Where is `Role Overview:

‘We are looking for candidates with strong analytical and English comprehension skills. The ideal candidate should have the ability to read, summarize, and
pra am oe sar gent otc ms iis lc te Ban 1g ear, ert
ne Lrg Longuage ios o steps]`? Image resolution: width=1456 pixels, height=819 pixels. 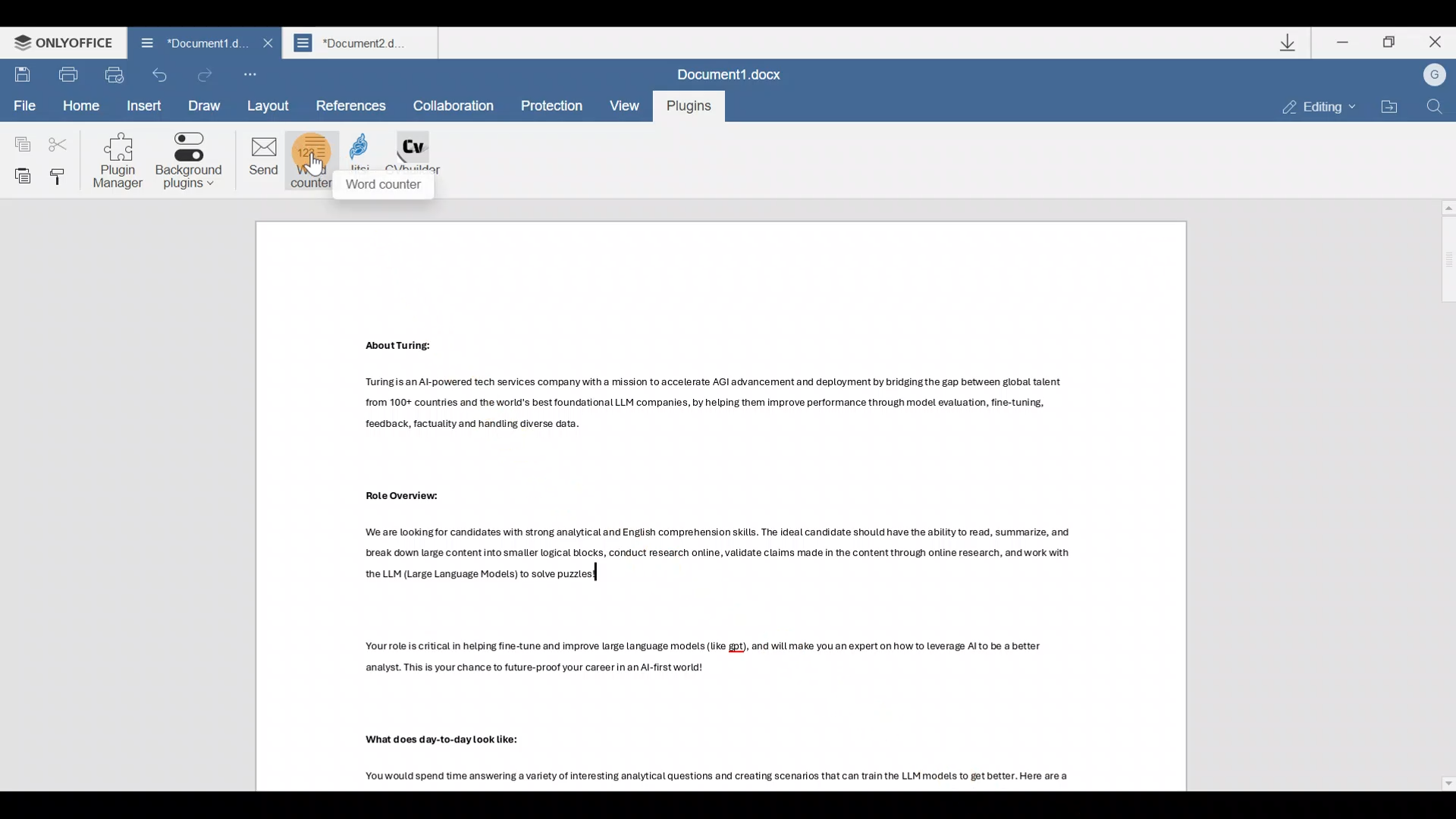 Role Overview:

‘We are looking for candidates with strong analytical and English comprehension skills. The ideal candidate should have the ability to read, summarize, and
pra am oe sar gent otc ms iis lc te Ban 1g ear, ert
ne Lrg Longuage ios o steps] is located at coordinates (716, 538).